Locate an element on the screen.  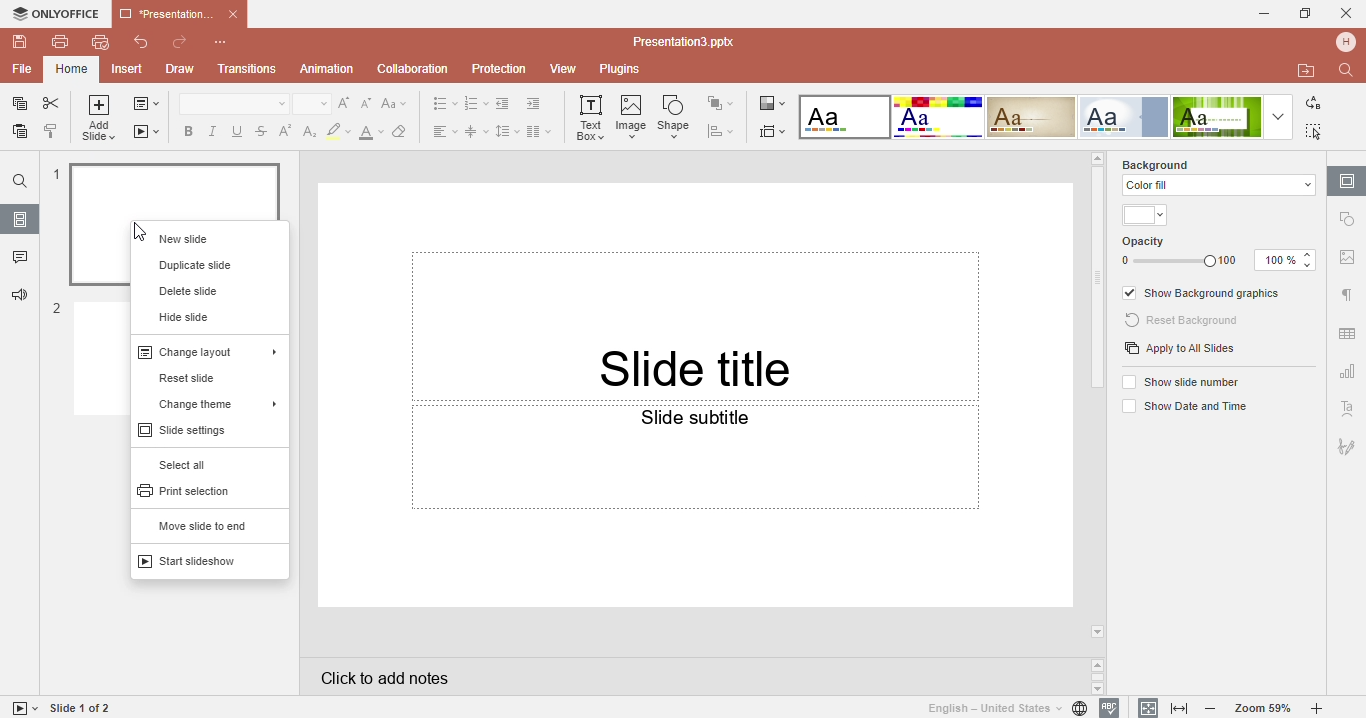
Line spacing is located at coordinates (508, 131).